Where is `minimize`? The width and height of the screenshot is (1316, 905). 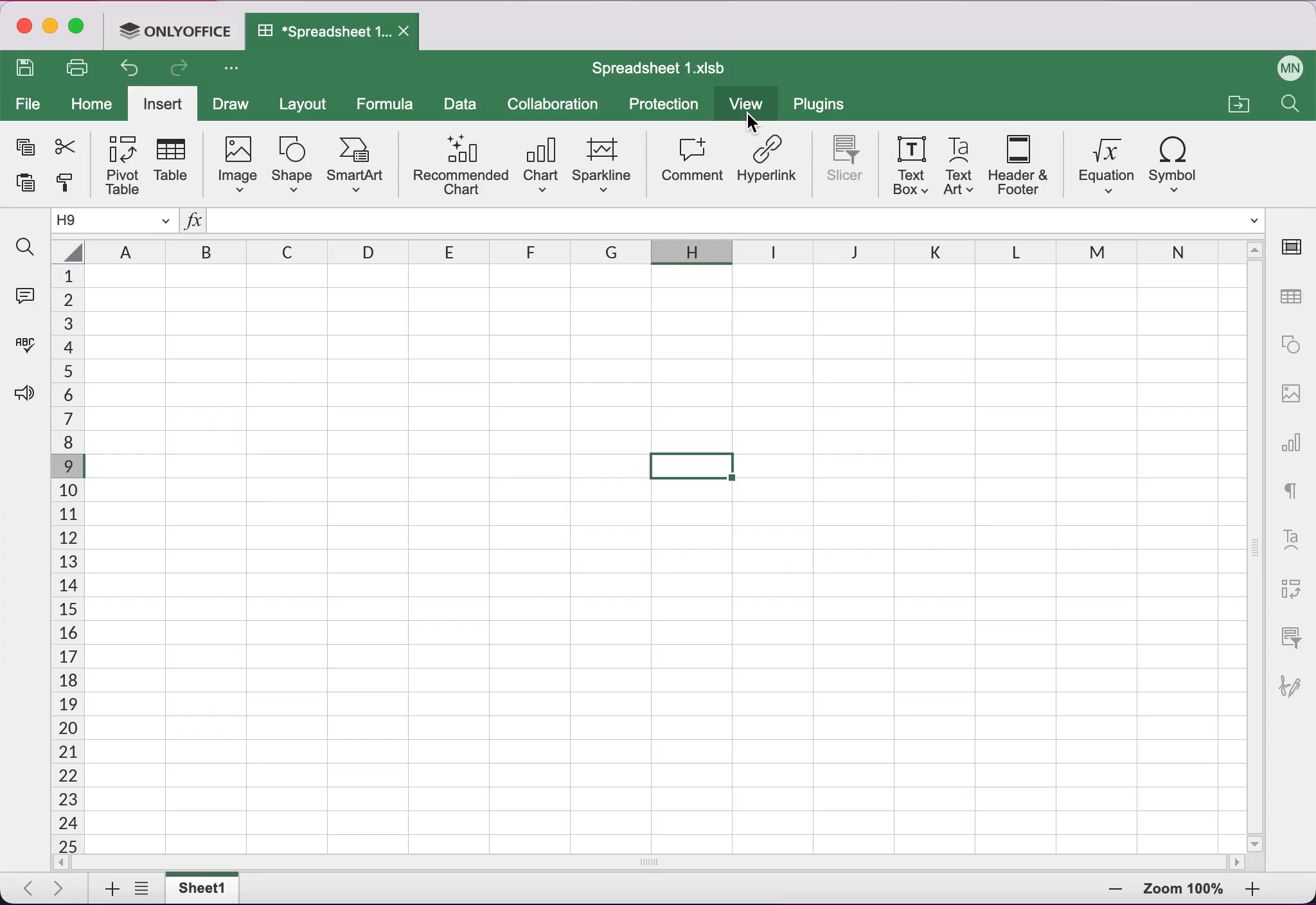
minimize is located at coordinates (51, 26).